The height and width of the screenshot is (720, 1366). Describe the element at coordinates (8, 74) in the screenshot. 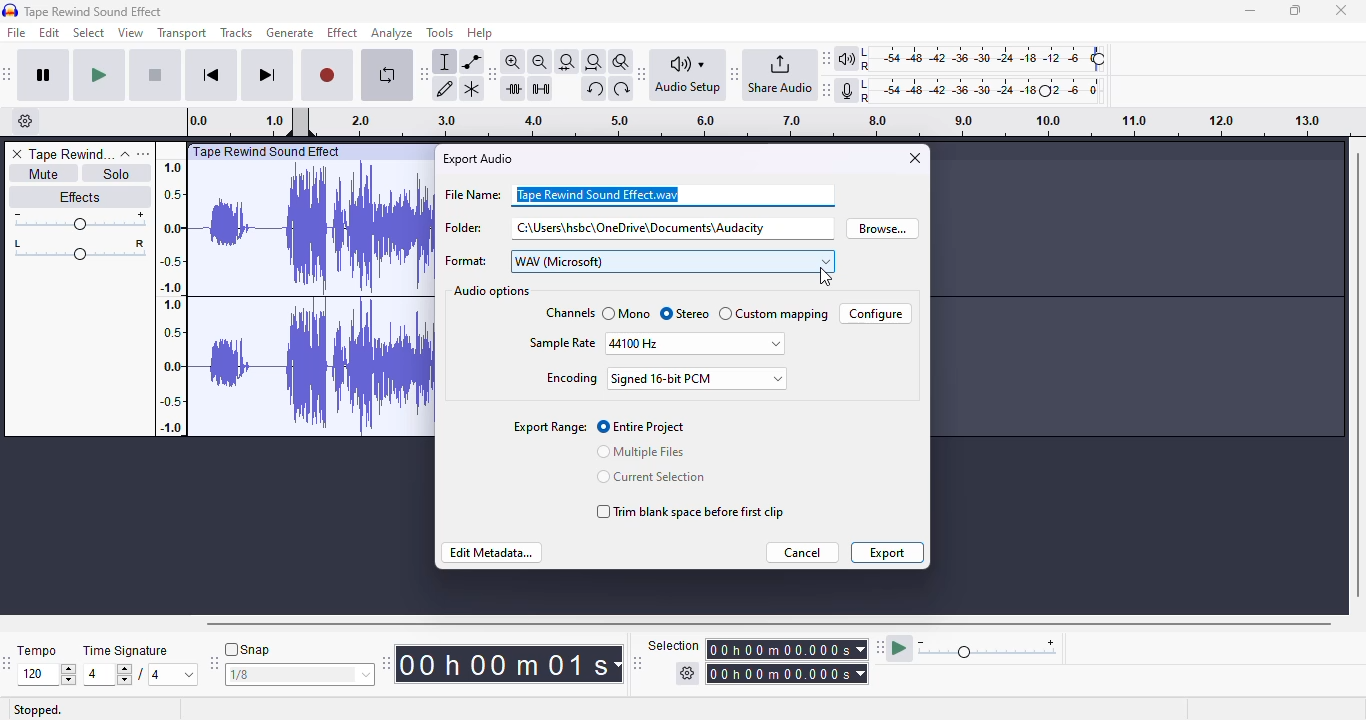

I see `audacity transport toolbar` at that location.